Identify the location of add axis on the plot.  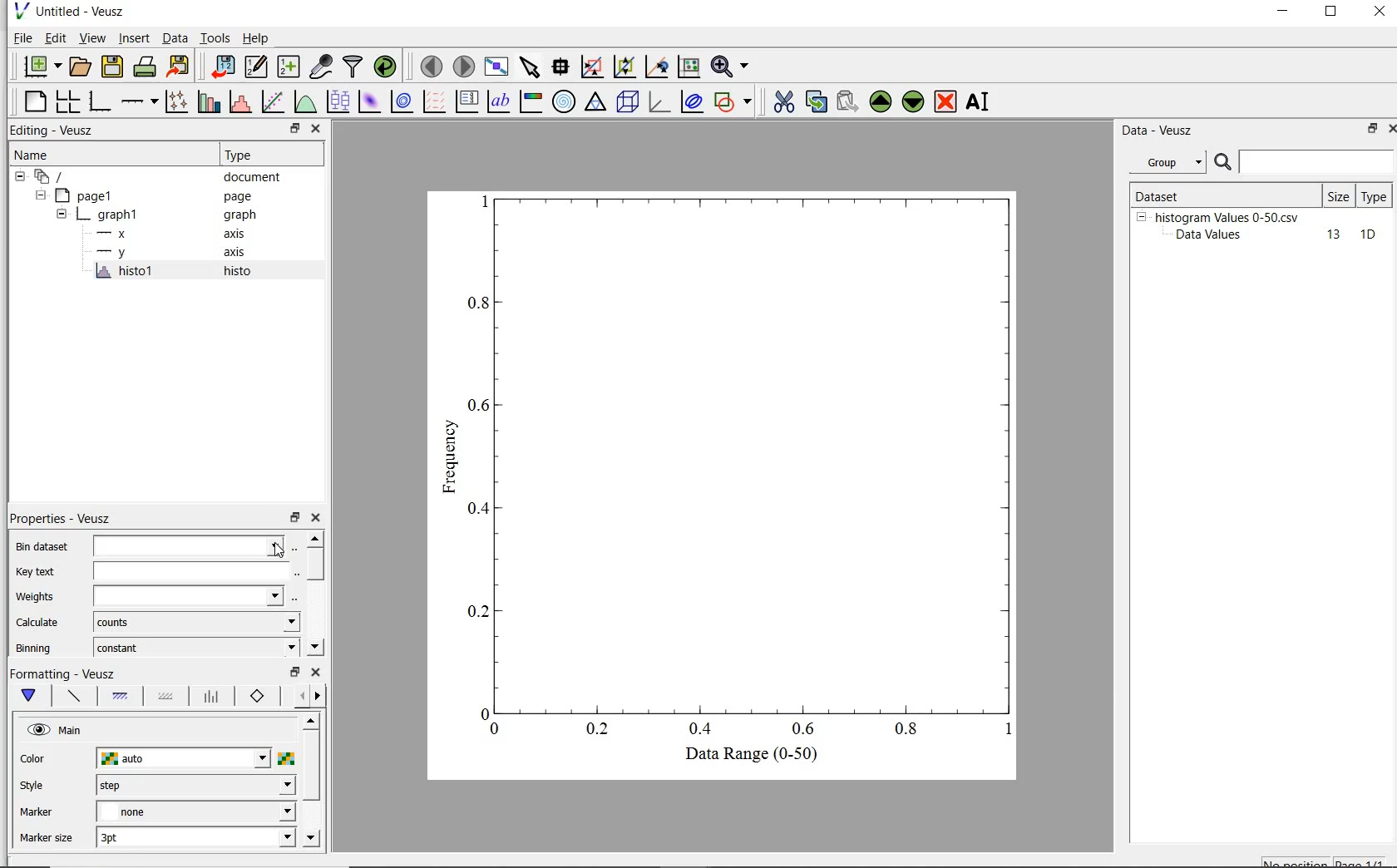
(139, 100).